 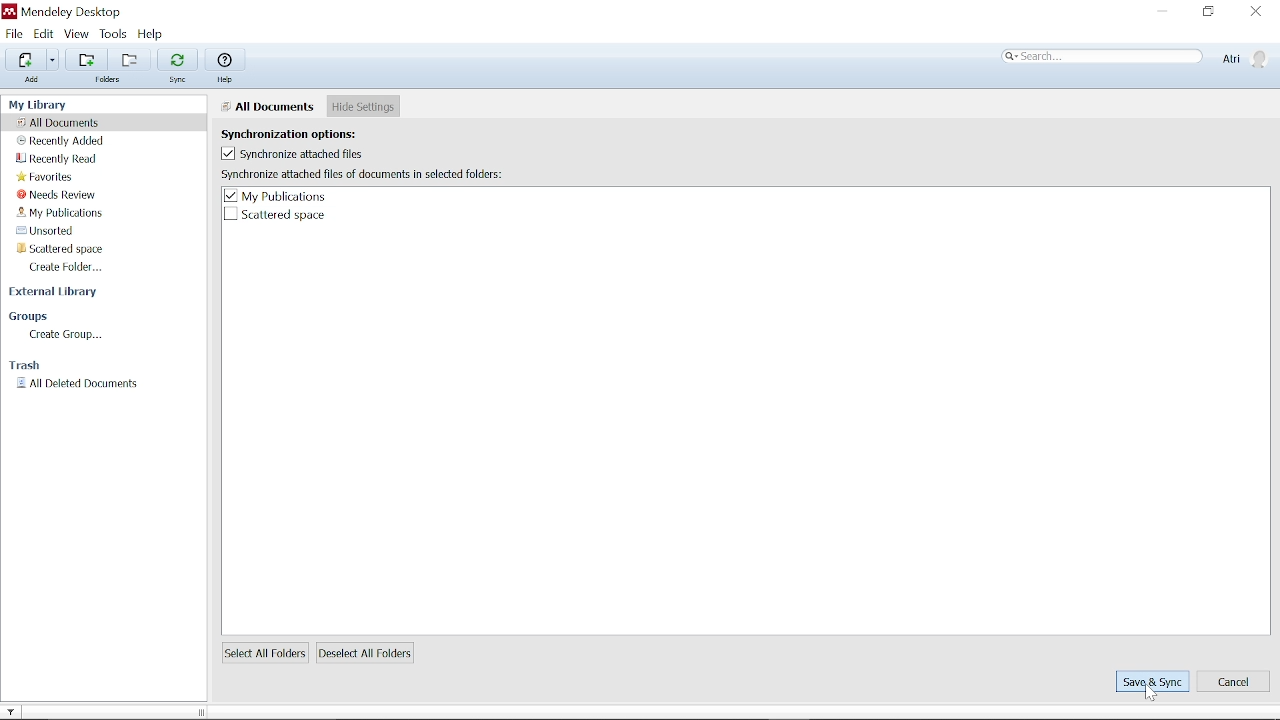 I want to click on sync, so click(x=180, y=81).